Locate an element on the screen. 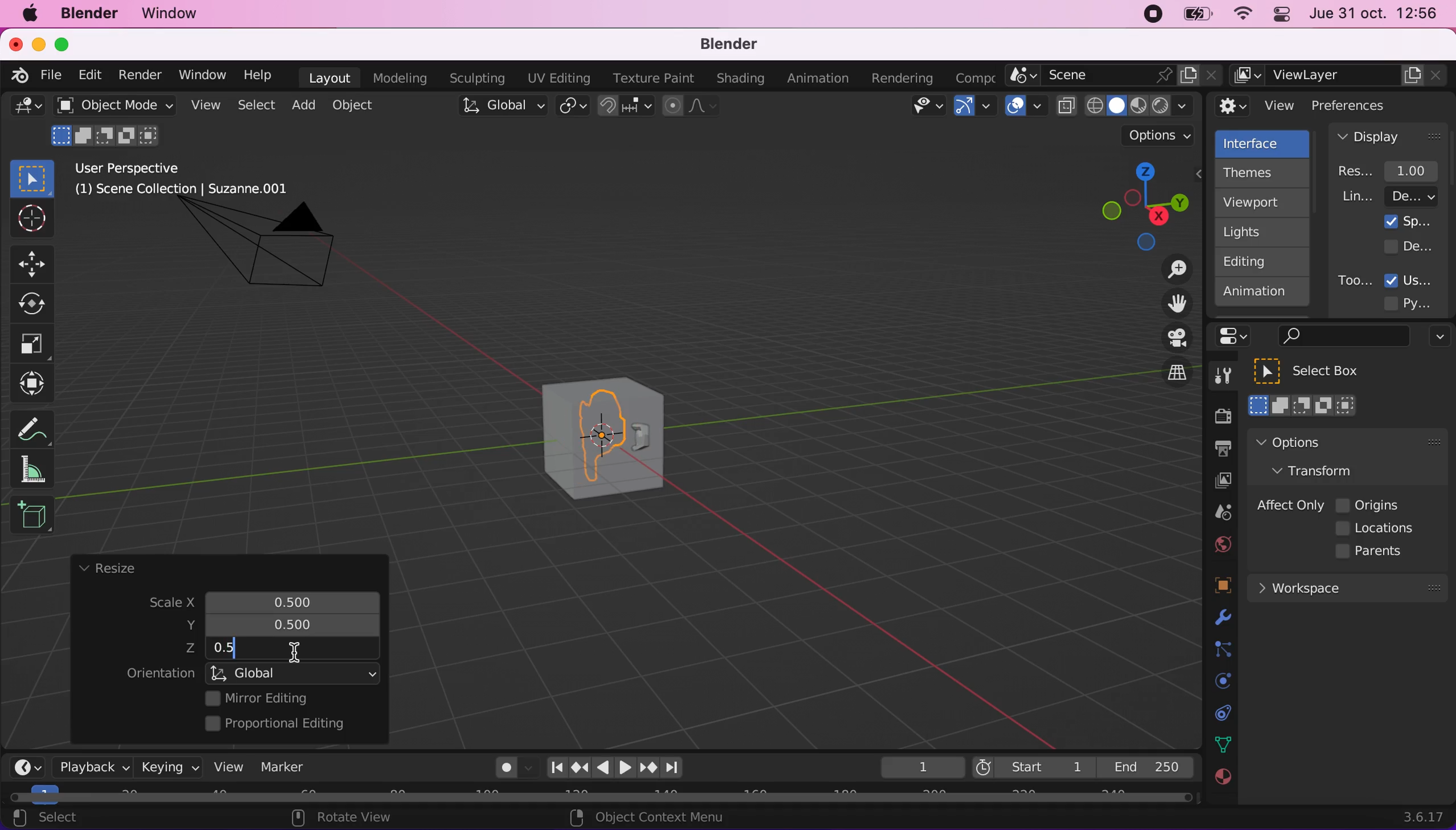 This screenshot has width=1456, height=830. zoom in/out the view is located at coordinates (1171, 269).